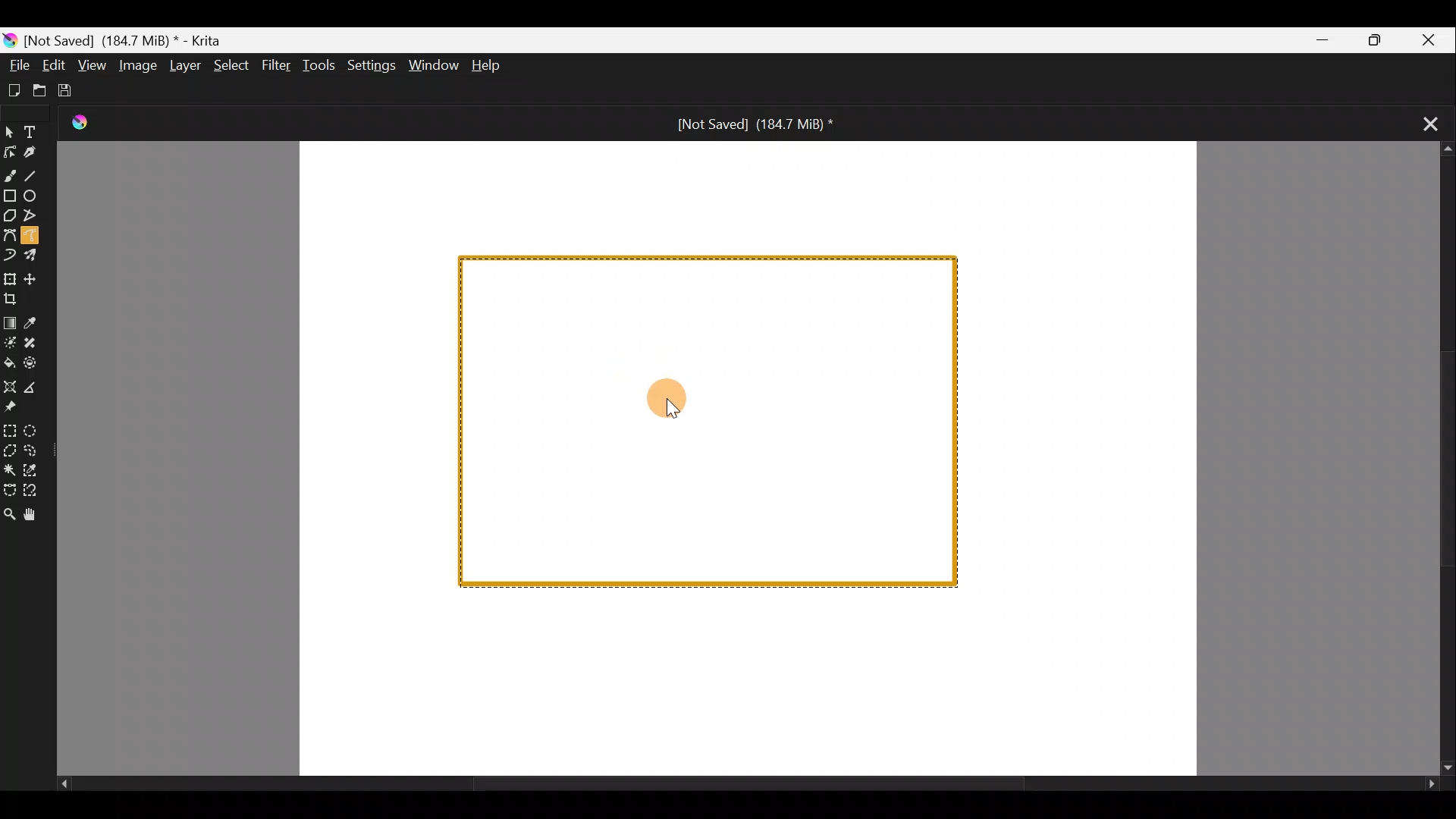  What do you see at coordinates (15, 90) in the screenshot?
I see `Create new document` at bounding box center [15, 90].